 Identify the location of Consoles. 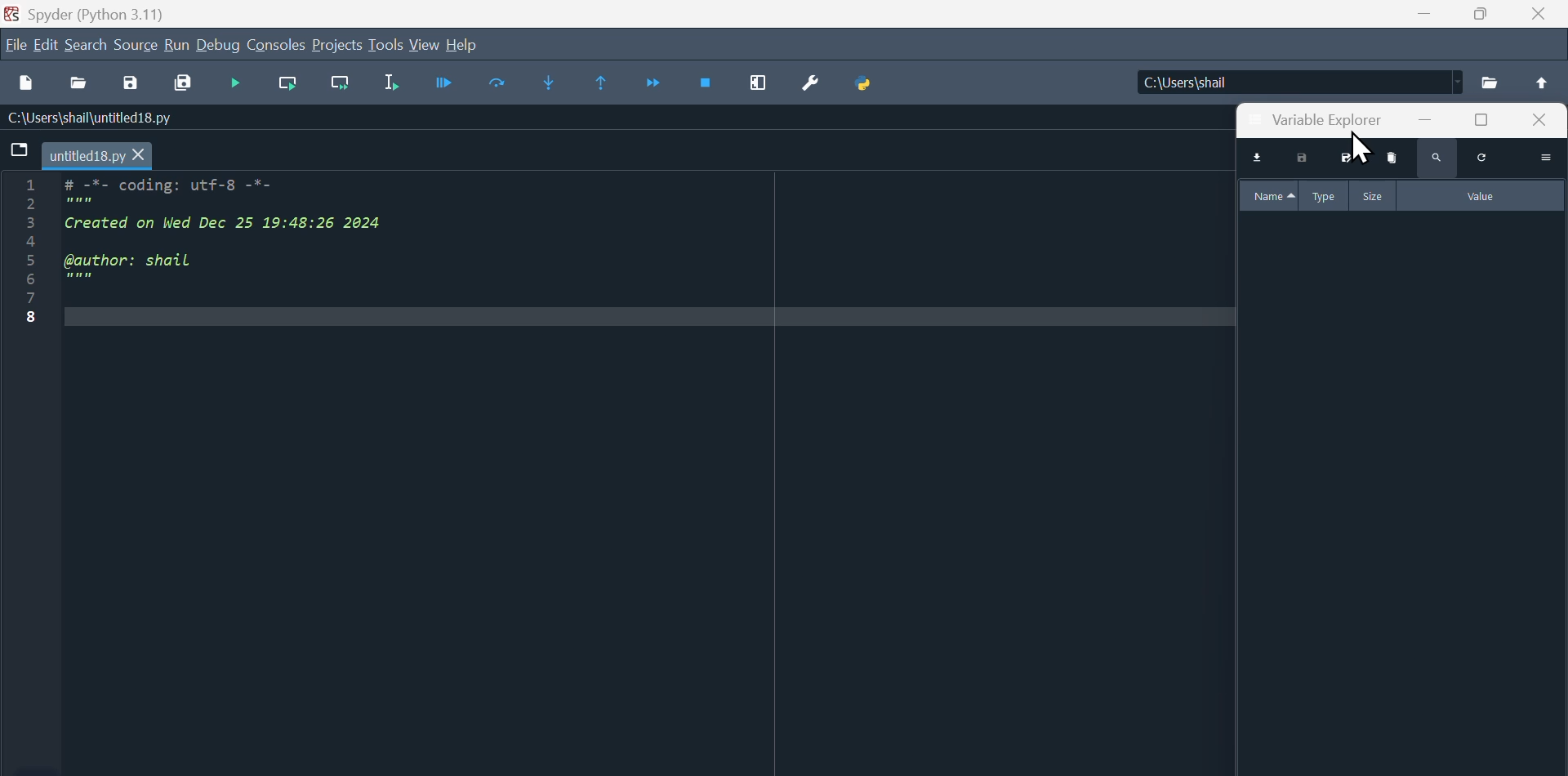
(278, 46).